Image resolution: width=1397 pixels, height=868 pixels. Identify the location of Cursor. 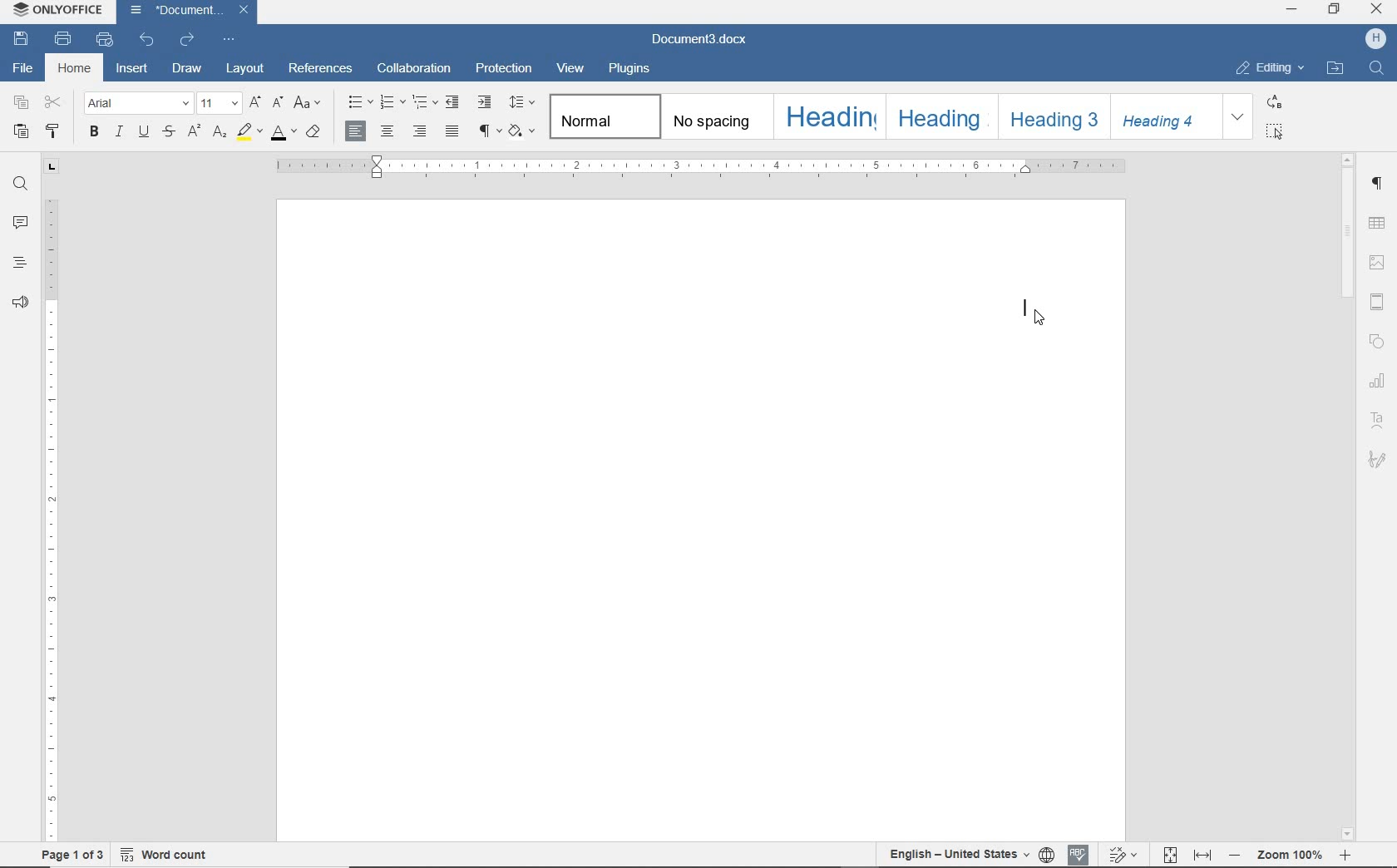
(1039, 318).